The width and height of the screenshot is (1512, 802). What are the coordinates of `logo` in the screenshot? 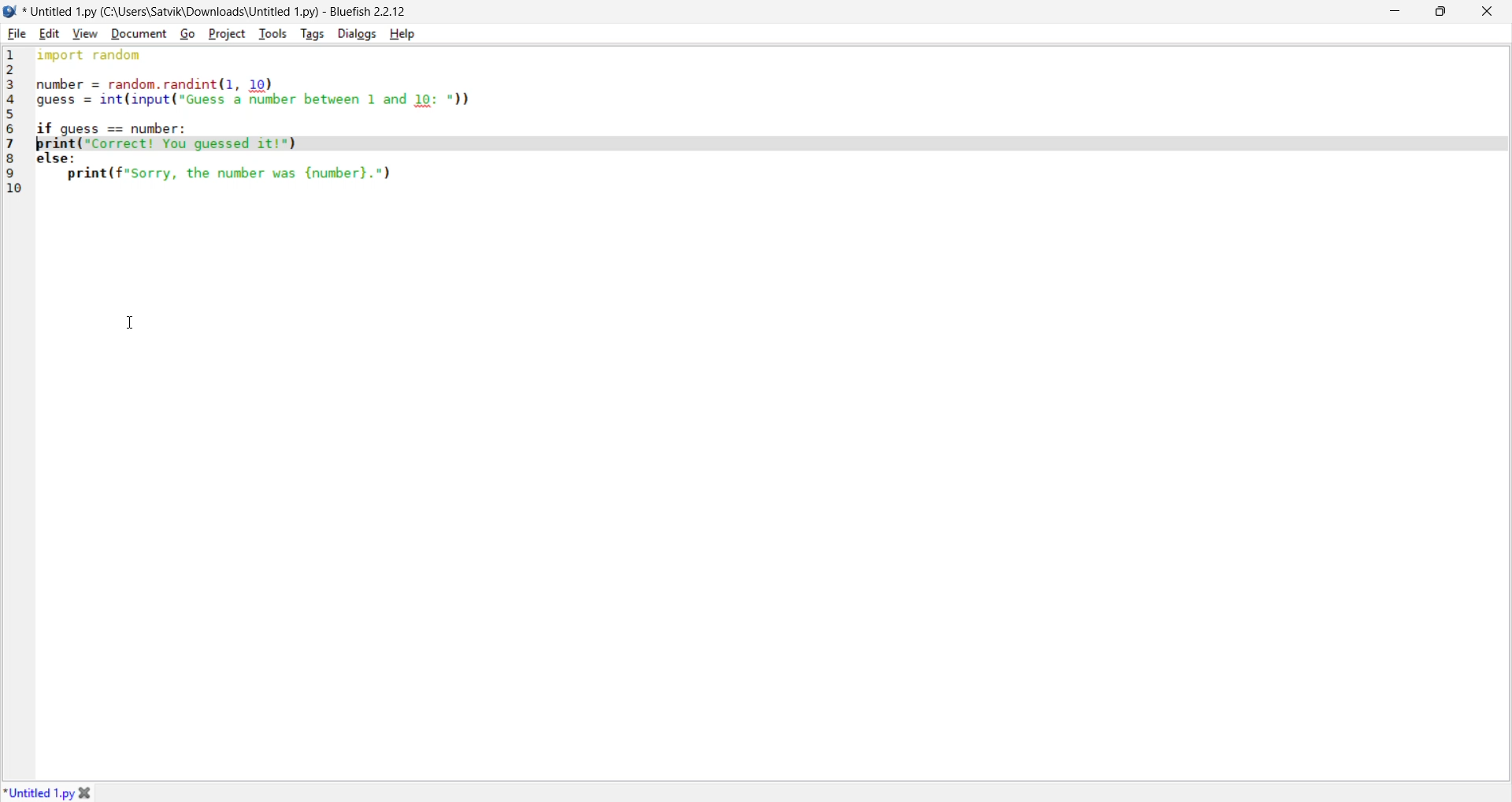 It's located at (10, 12).